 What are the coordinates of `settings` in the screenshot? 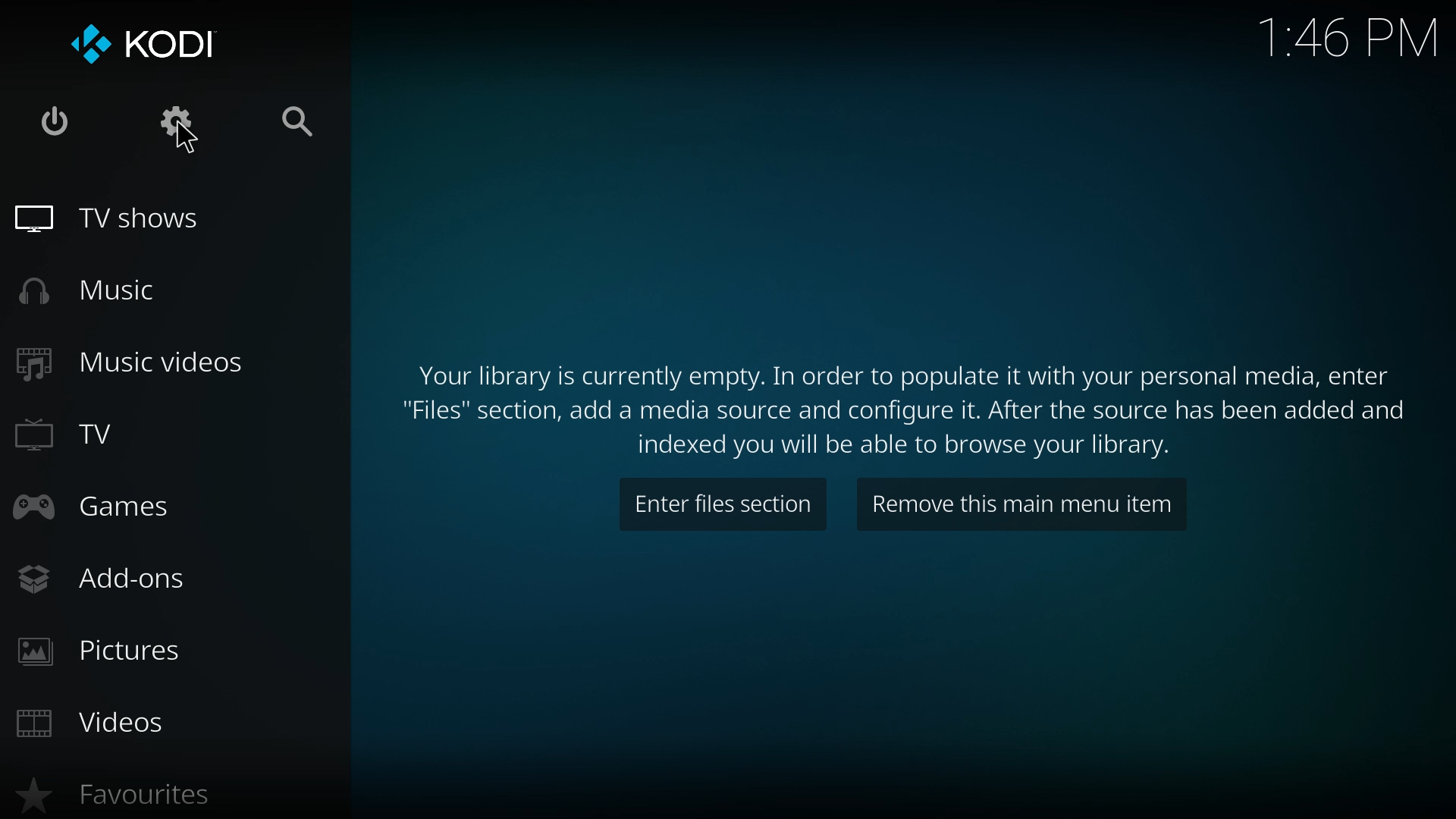 It's located at (174, 124).